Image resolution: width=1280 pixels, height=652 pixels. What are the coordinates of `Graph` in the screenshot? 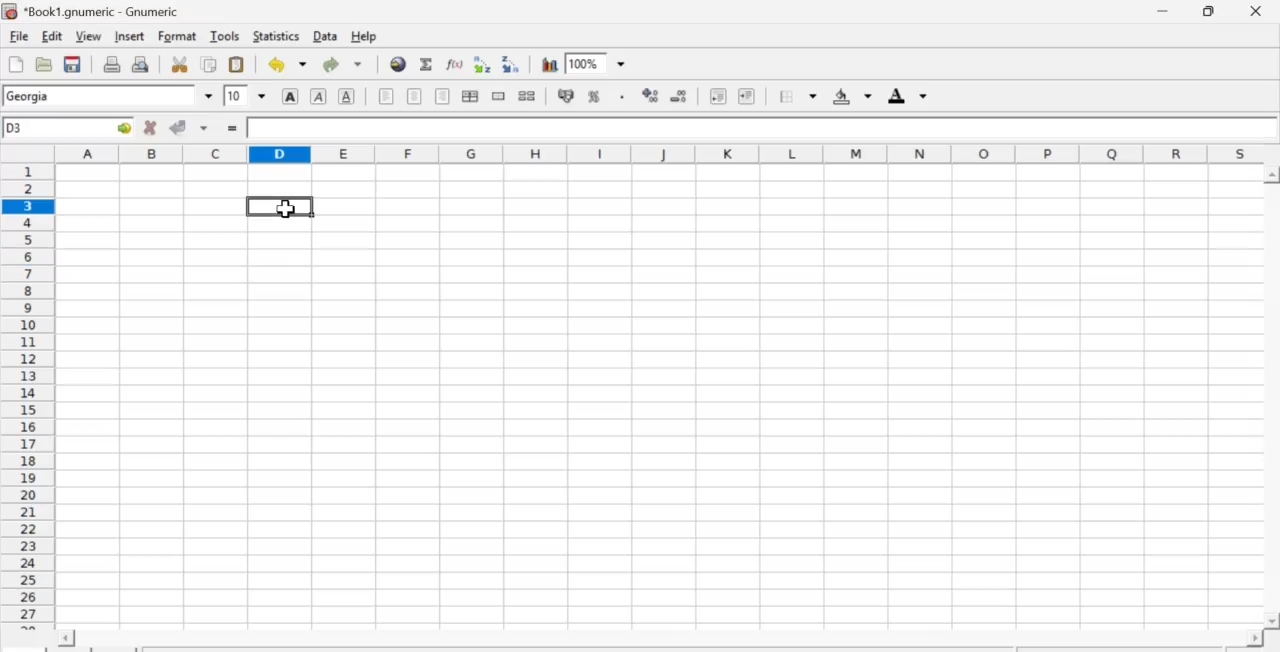 It's located at (550, 63).